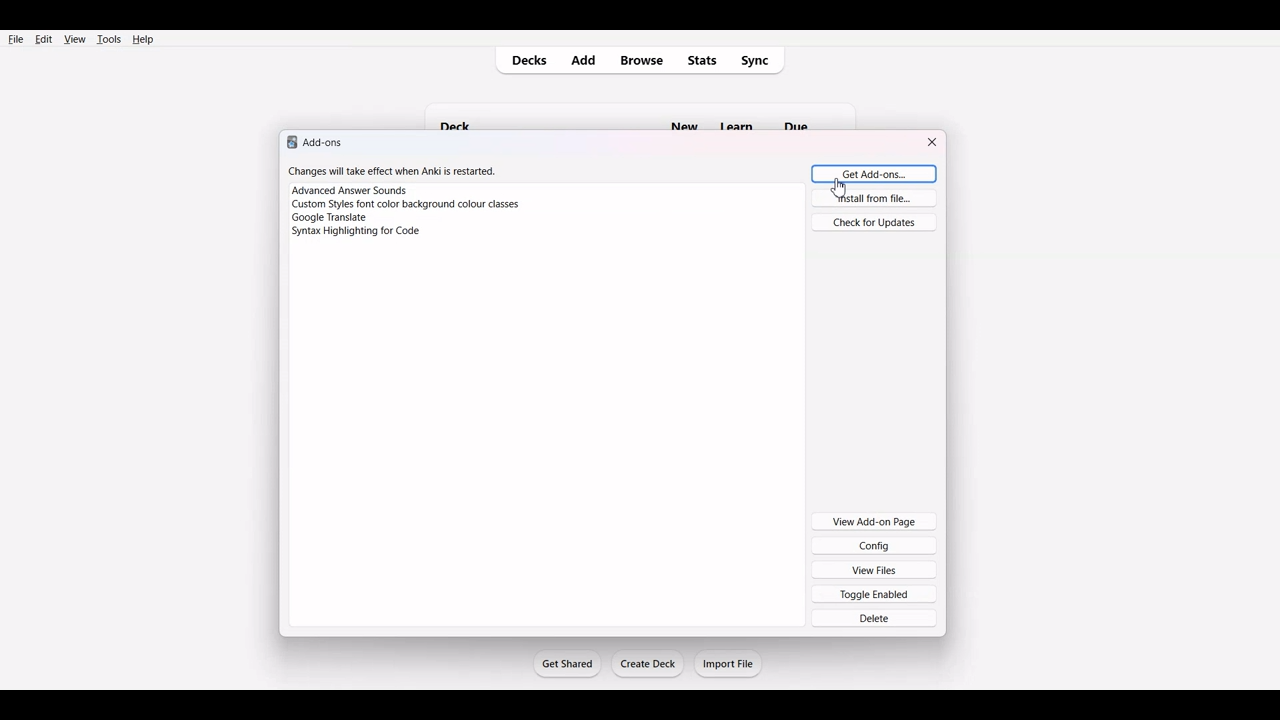 This screenshot has height=720, width=1280. What do you see at coordinates (875, 593) in the screenshot?
I see `Toggle Enabled` at bounding box center [875, 593].